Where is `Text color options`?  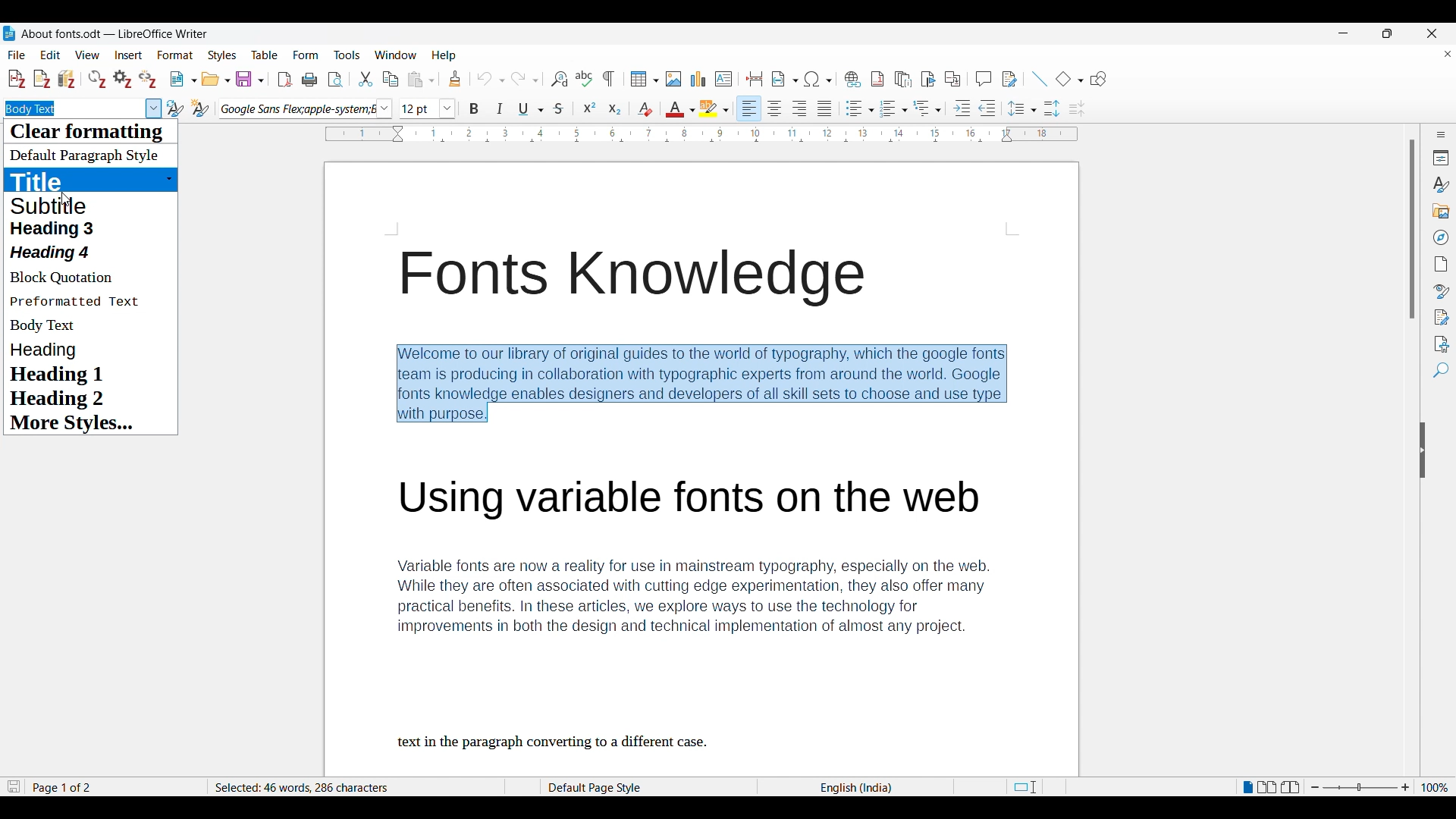 Text color options is located at coordinates (681, 108).